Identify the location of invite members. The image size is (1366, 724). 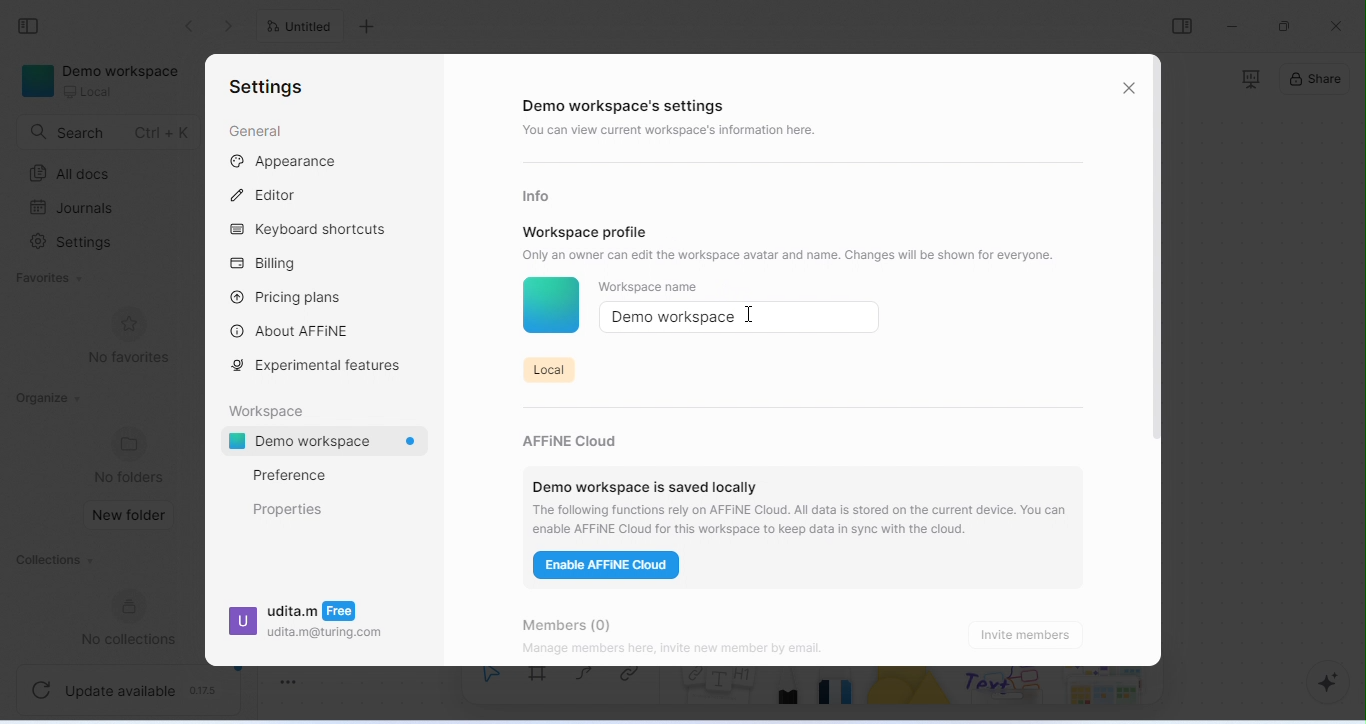
(1030, 634).